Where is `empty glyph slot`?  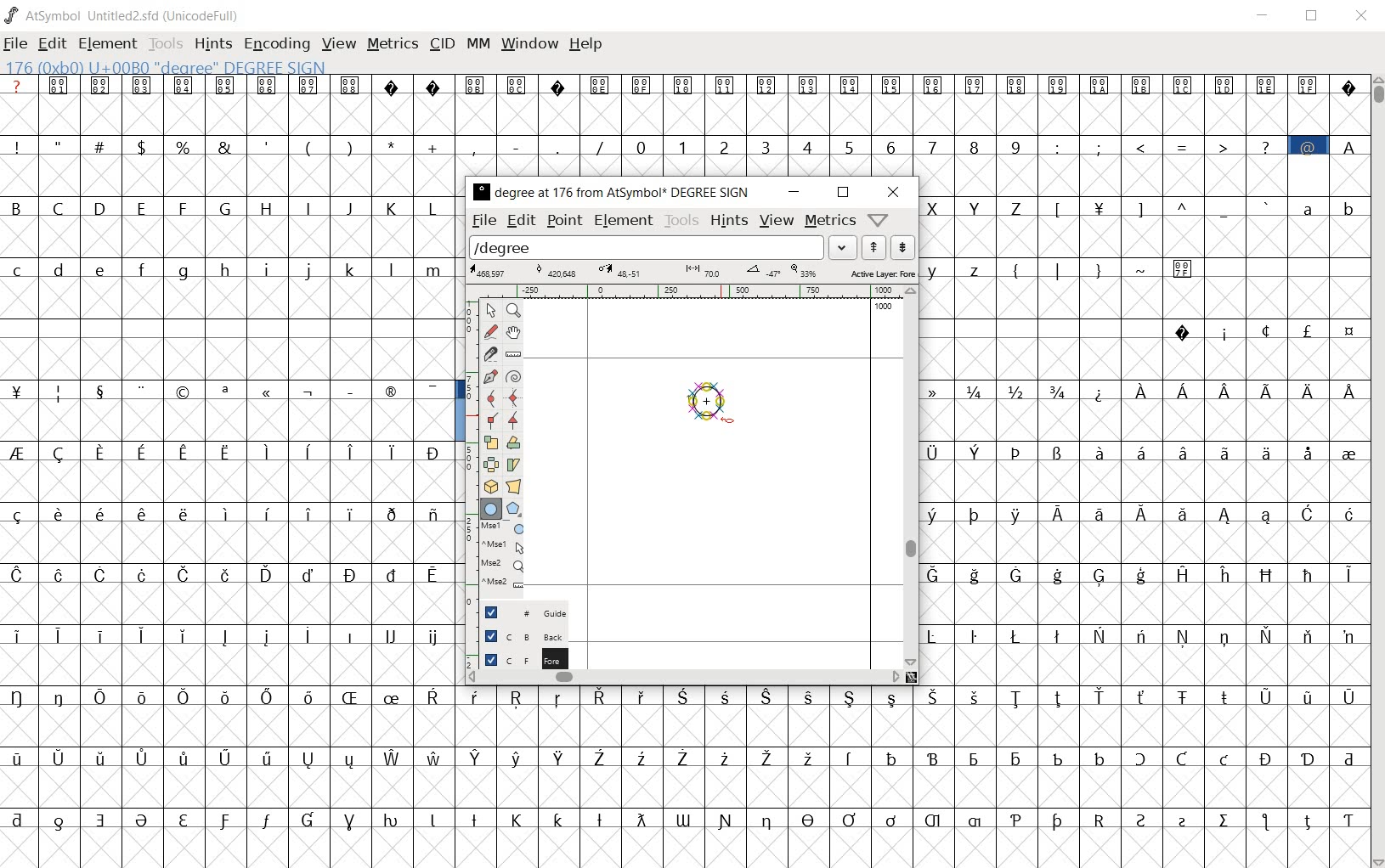
empty glyph slot is located at coordinates (229, 786).